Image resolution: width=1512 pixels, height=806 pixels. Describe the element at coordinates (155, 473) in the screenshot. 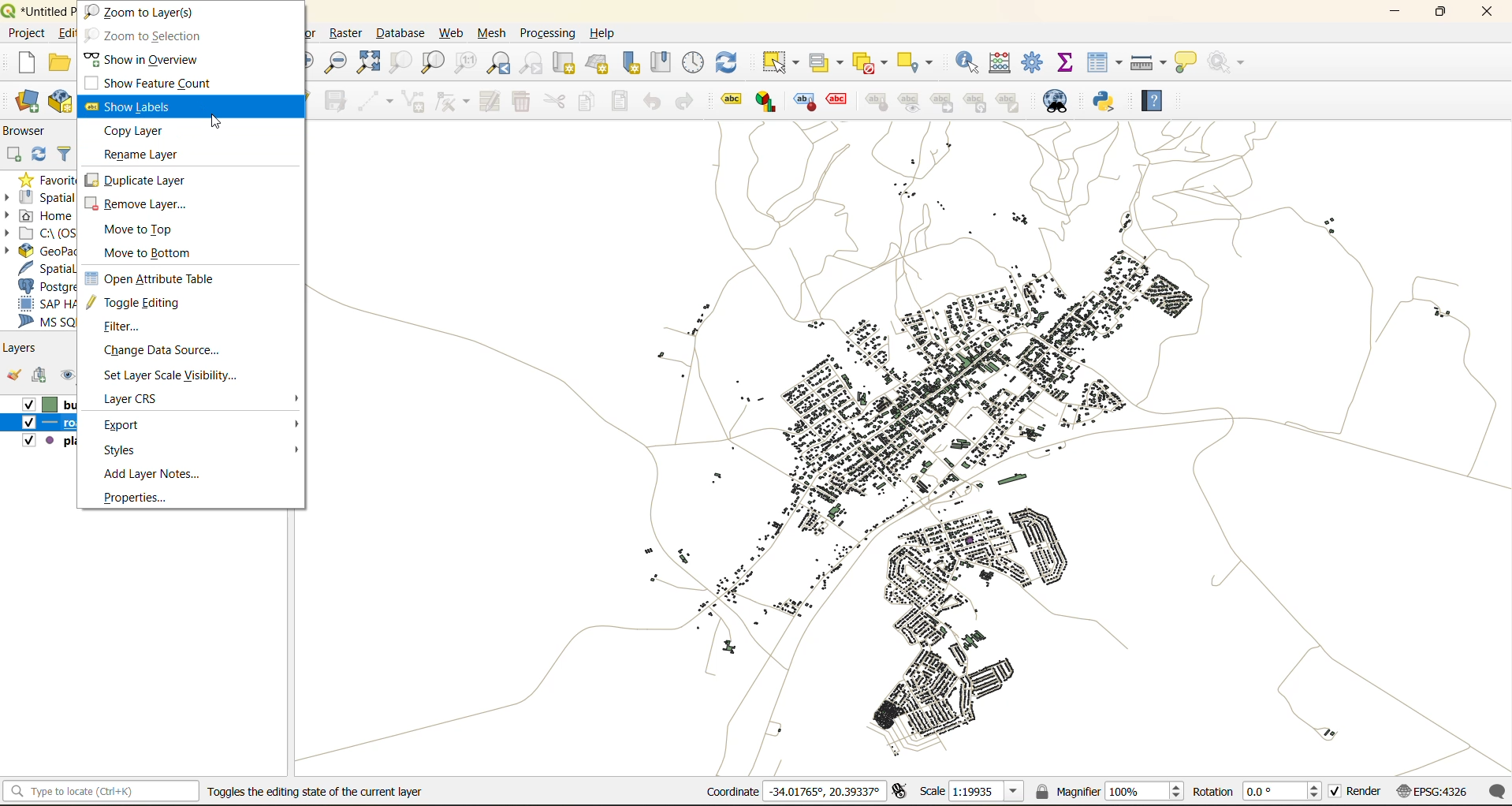

I see `add layer notes` at that location.